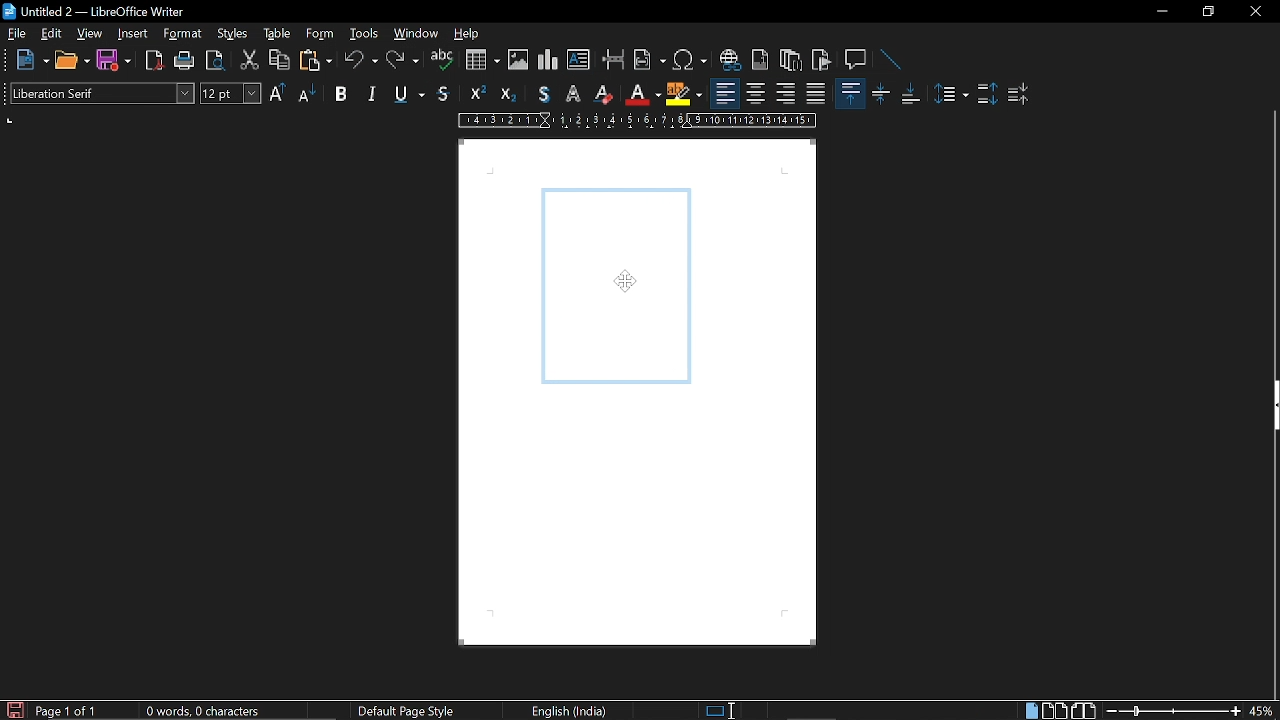 The height and width of the screenshot is (720, 1280). What do you see at coordinates (443, 95) in the screenshot?
I see `strikethrough` at bounding box center [443, 95].